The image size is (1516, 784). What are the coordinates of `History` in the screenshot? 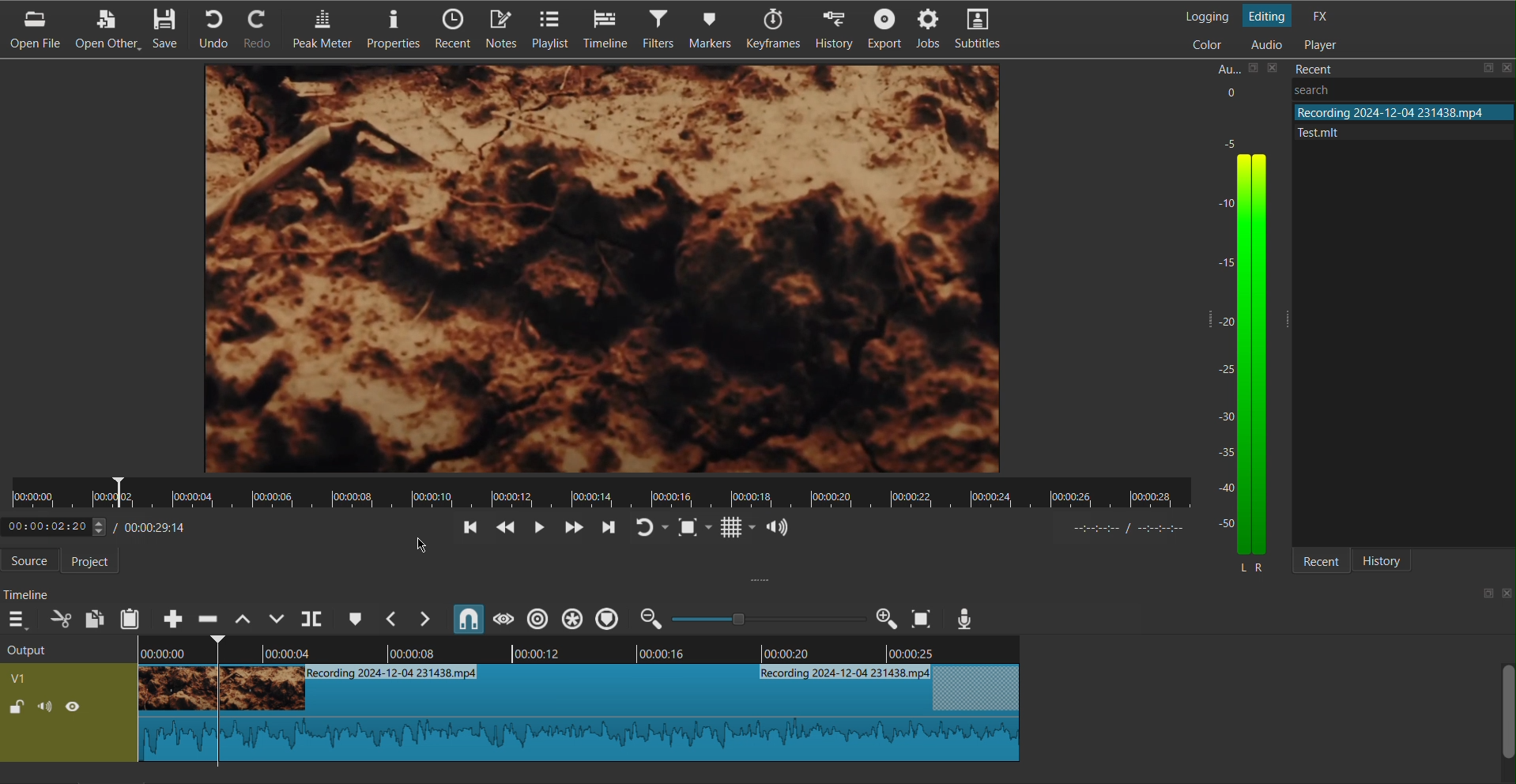 It's located at (836, 32).